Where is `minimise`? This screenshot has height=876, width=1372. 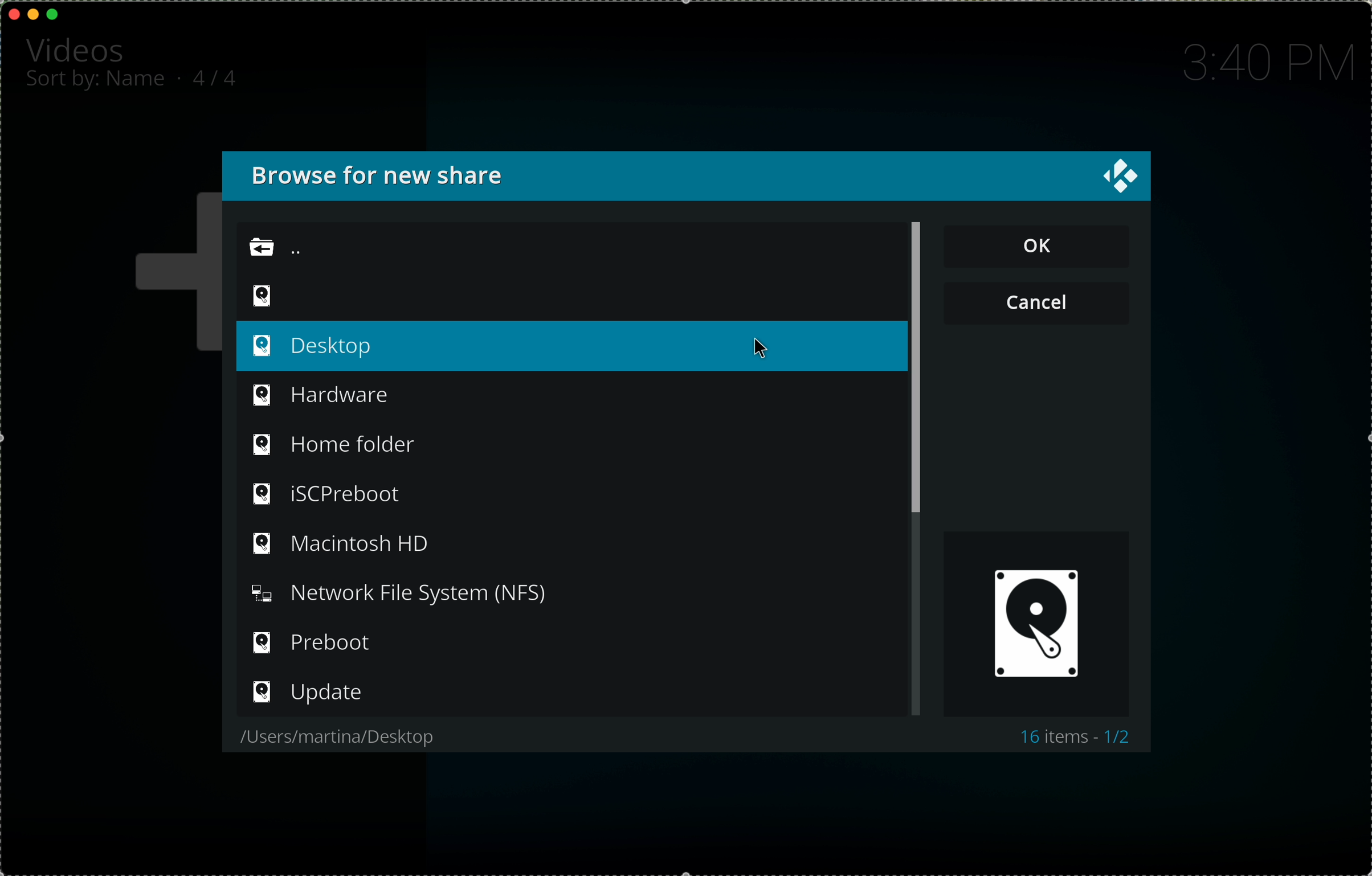
minimise is located at coordinates (33, 13).